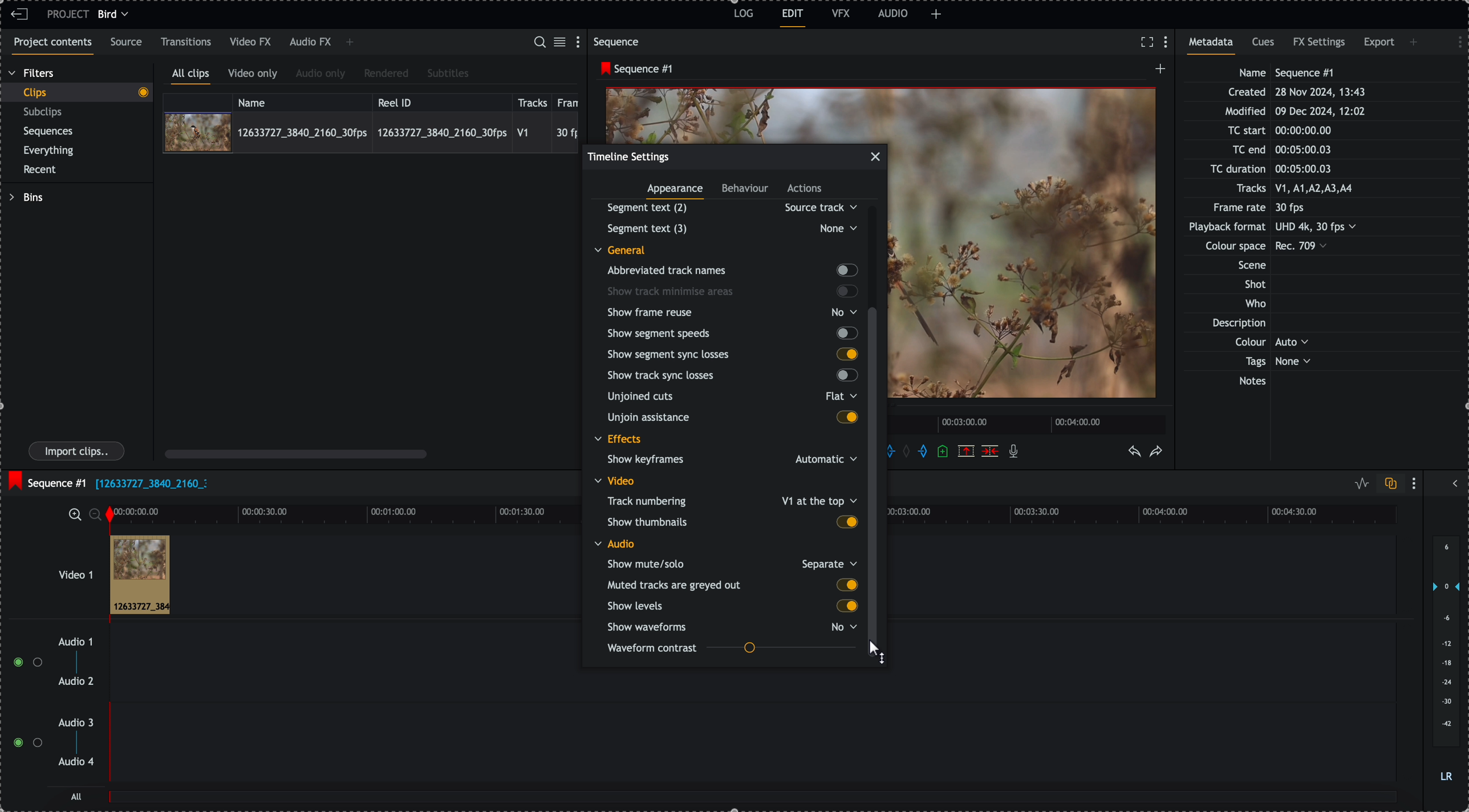 This screenshot has height=812, width=1469. I want to click on sequences, so click(48, 133).